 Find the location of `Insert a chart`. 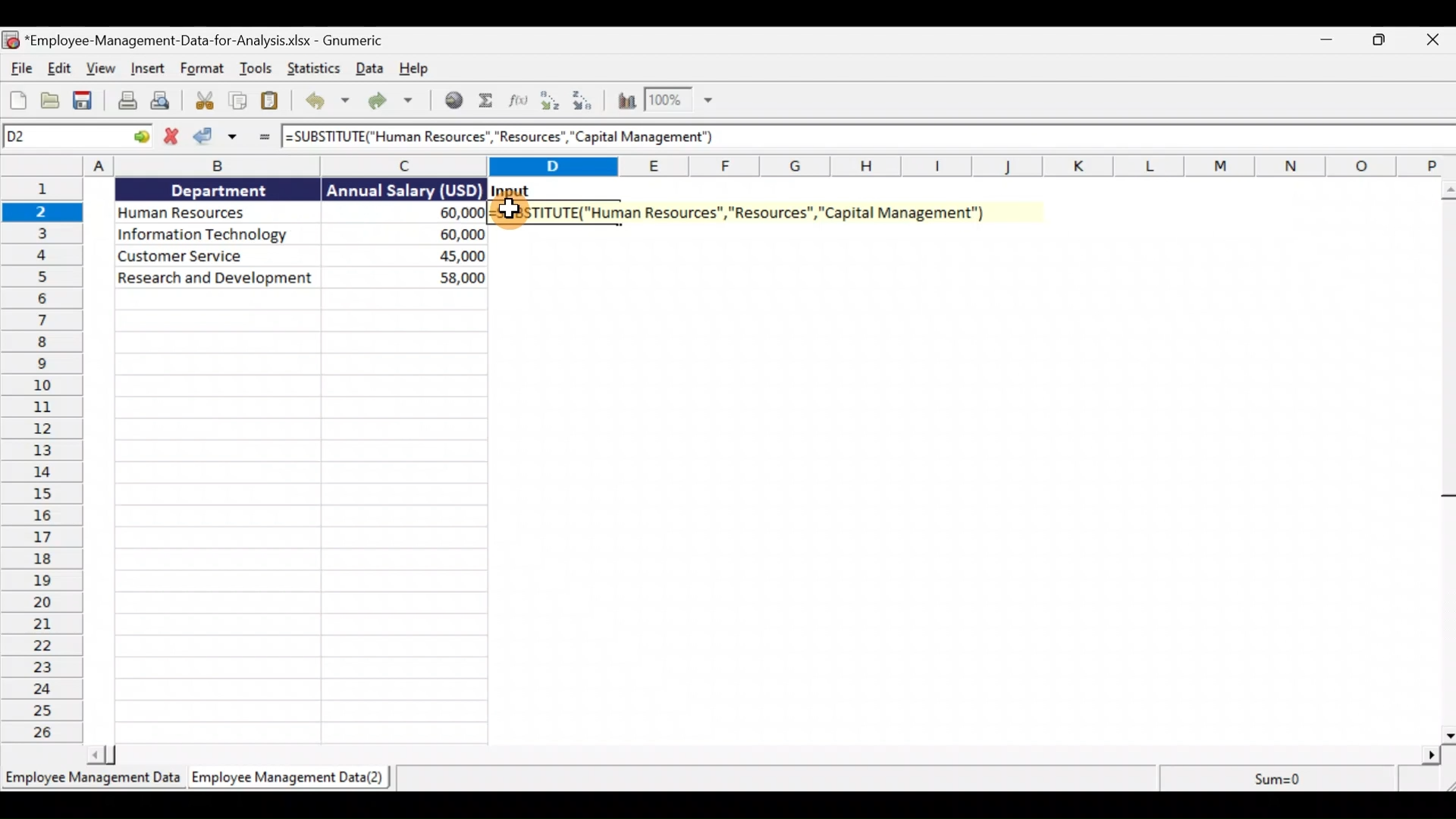

Insert a chart is located at coordinates (626, 105).